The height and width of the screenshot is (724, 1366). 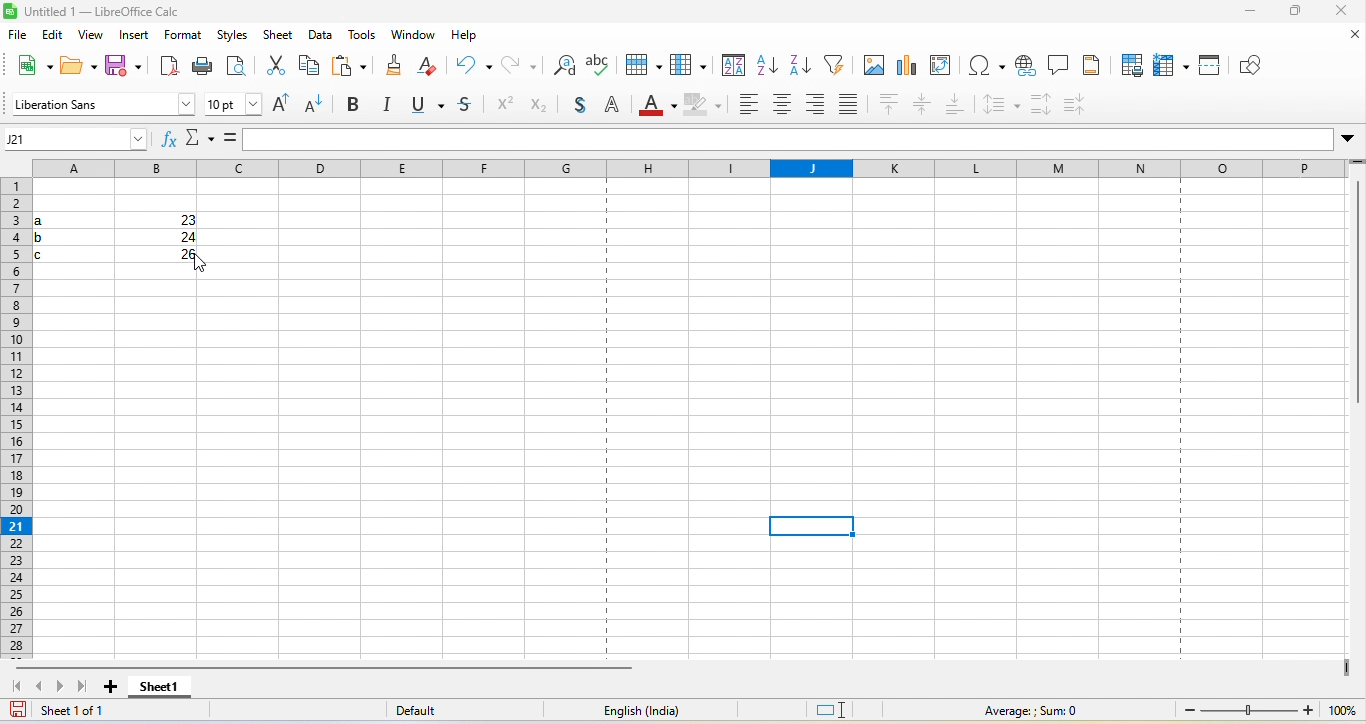 What do you see at coordinates (804, 140) in the screenshot?
I see `formula bar` at bounding box center [804, 140].